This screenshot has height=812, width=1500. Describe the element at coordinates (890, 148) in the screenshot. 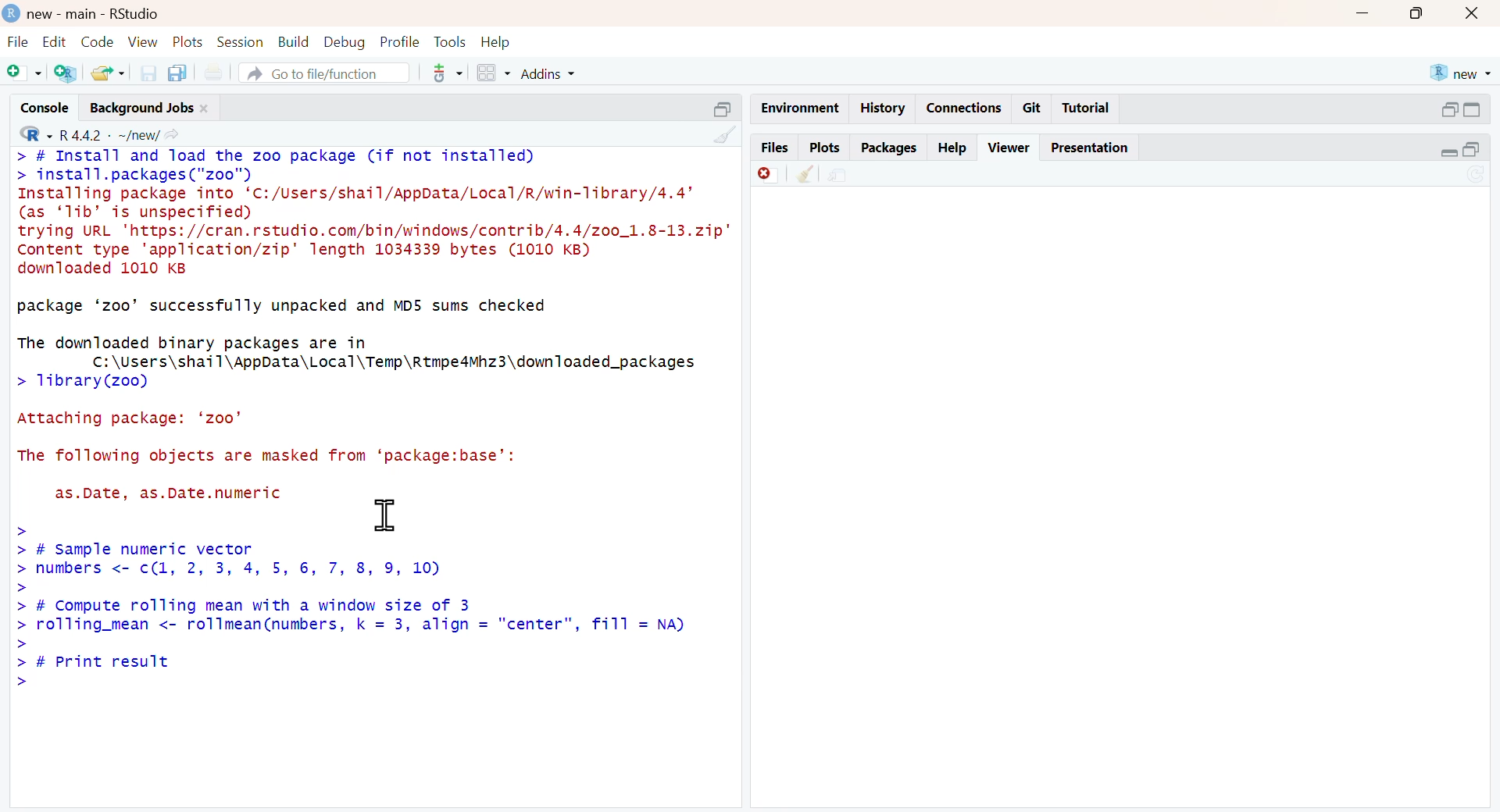

I see `packages` at that location.